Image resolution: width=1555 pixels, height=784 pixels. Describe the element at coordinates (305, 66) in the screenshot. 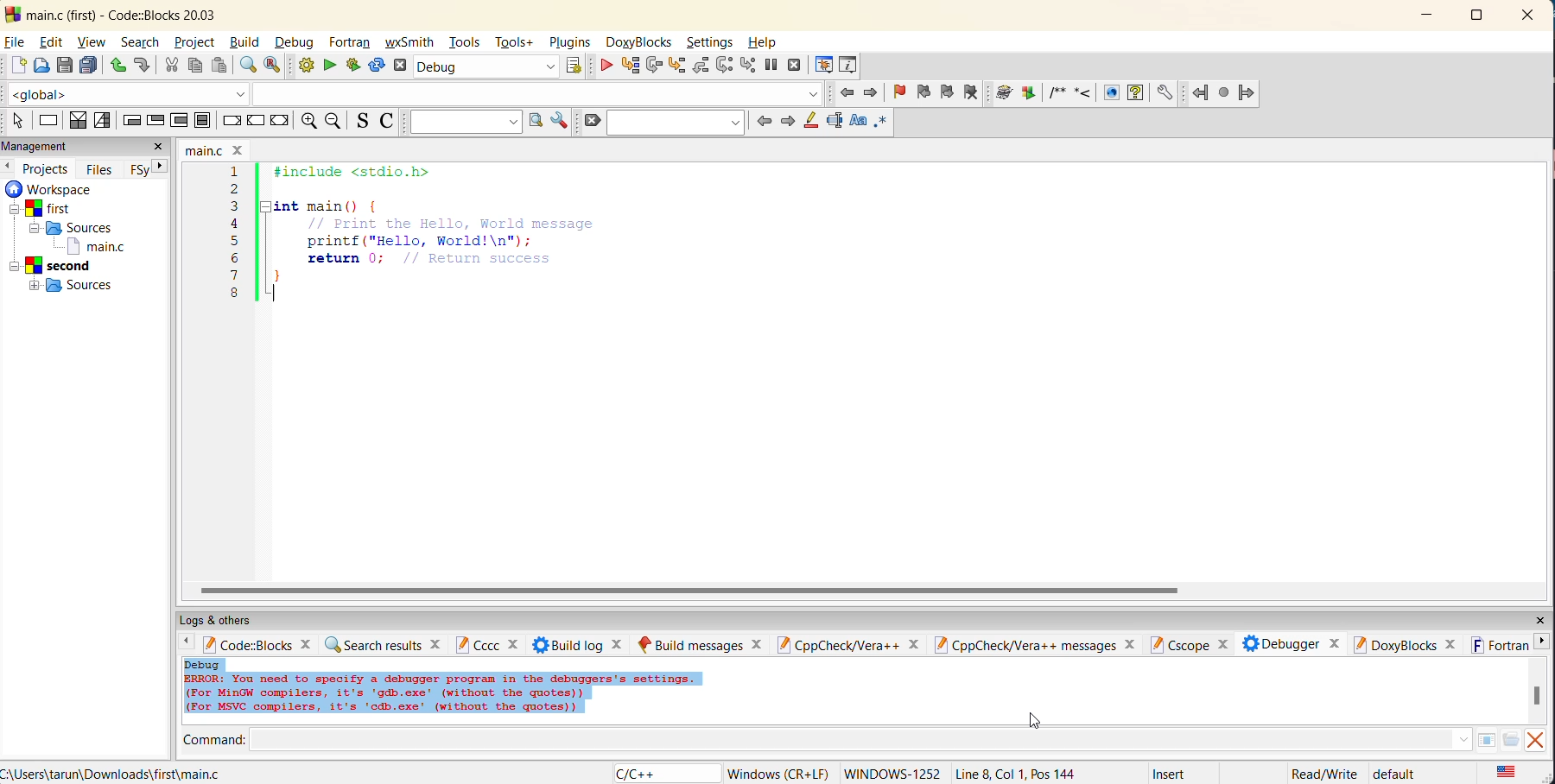

I see `build` at that location.